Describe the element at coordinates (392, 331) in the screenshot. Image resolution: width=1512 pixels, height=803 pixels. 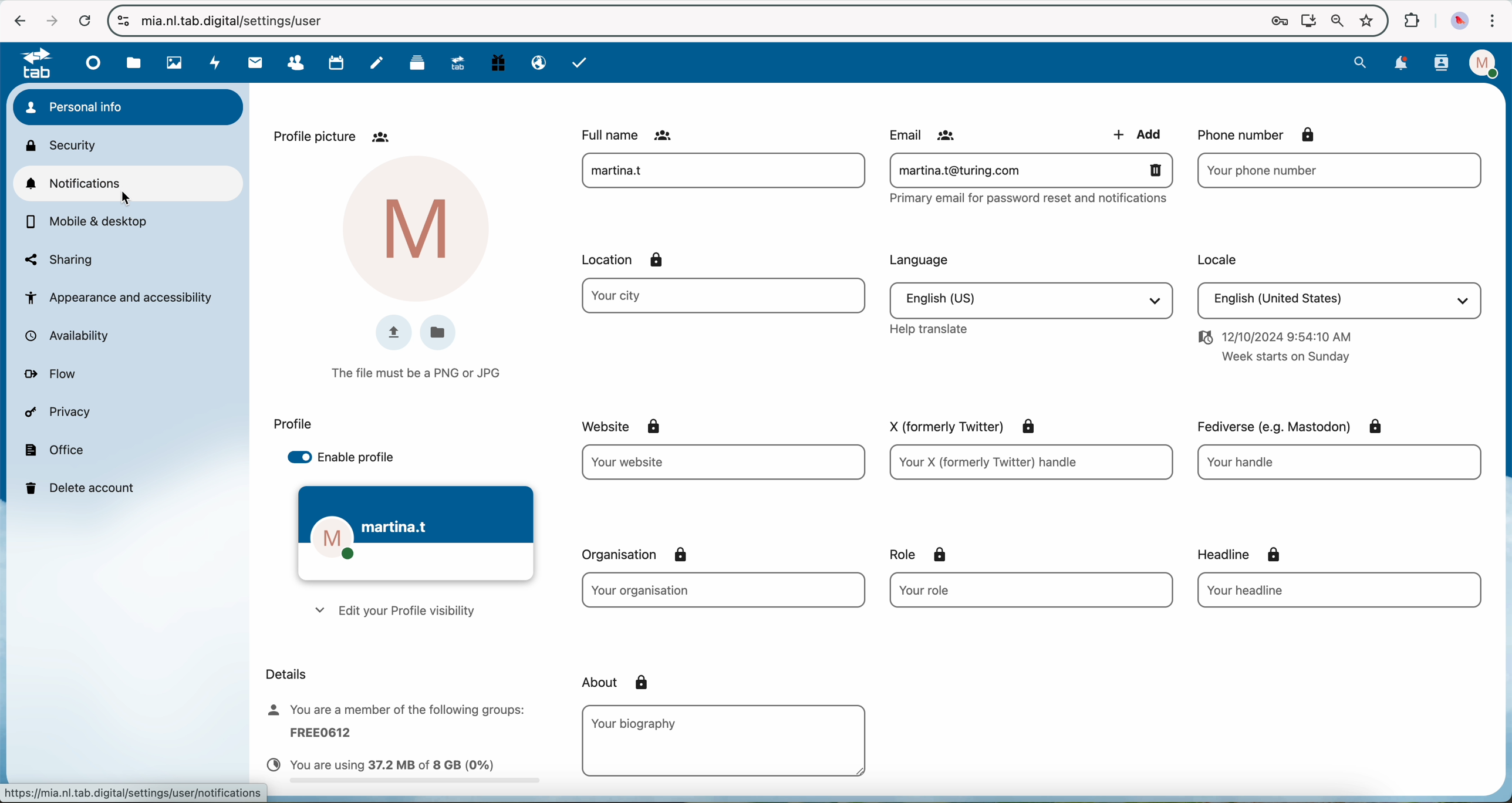
I see `upload image` at that location.